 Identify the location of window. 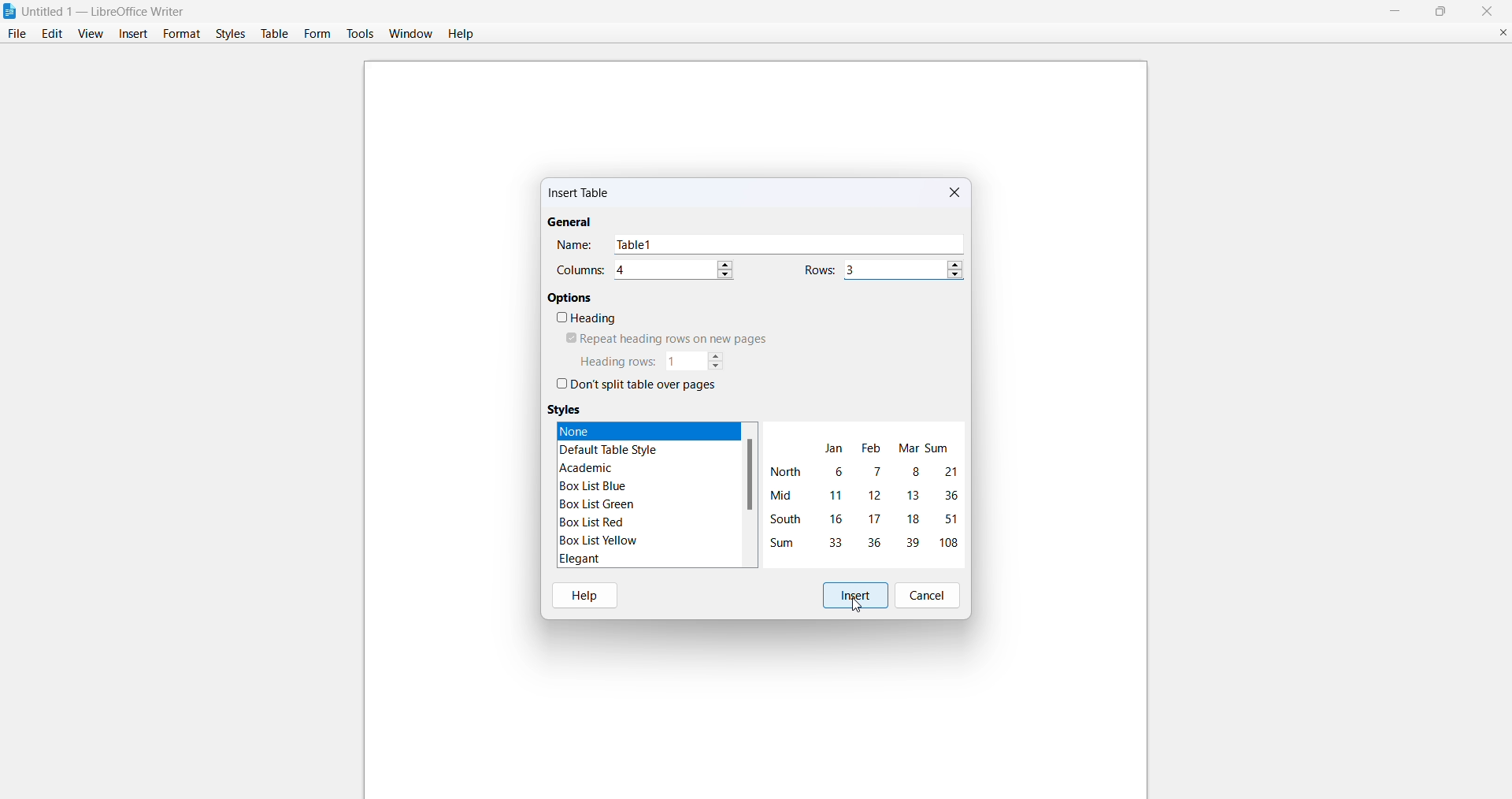
(408, 33).